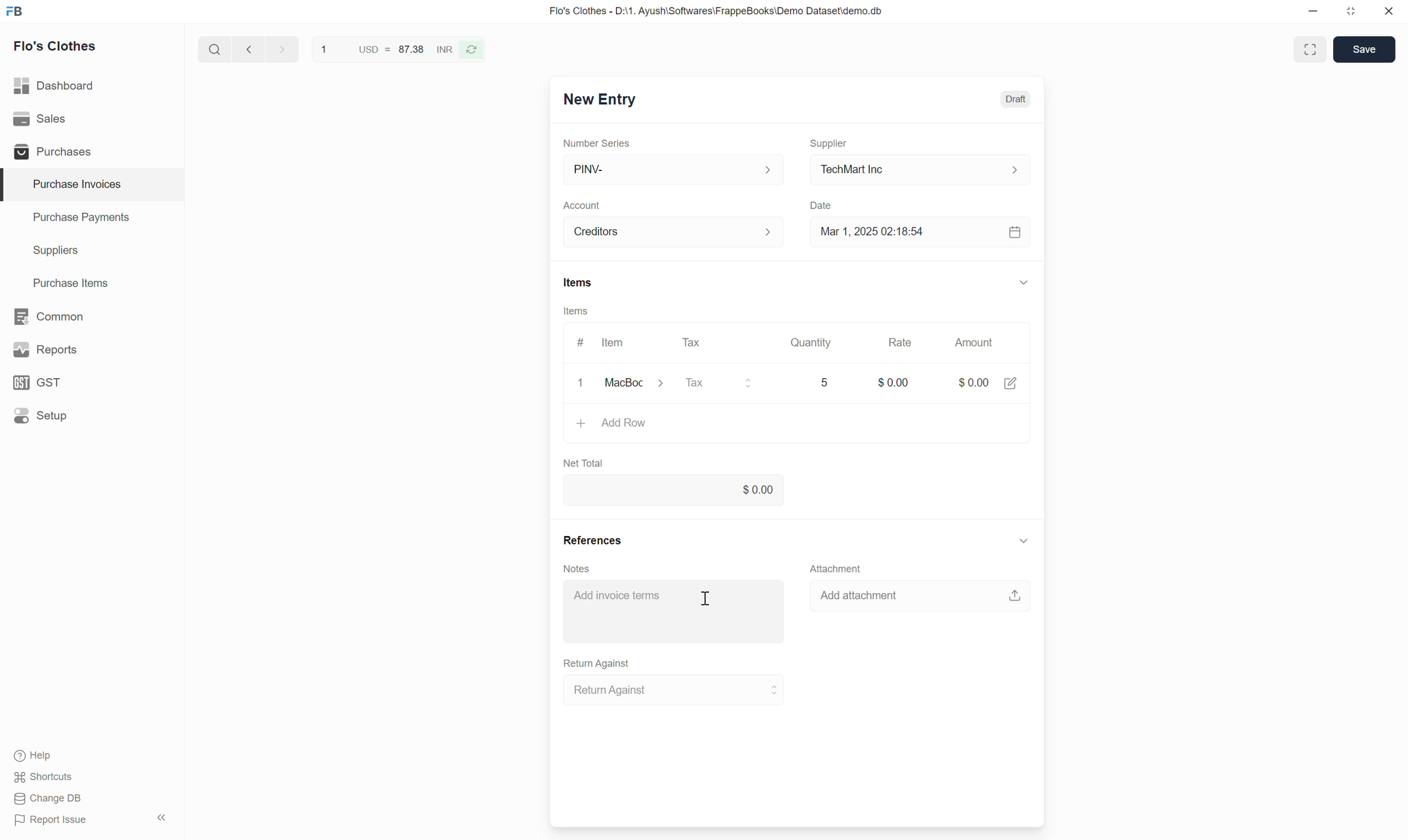 The width and height of the screenshot is (1408, 840). I want to click on Suppliers, so click(92, 251).